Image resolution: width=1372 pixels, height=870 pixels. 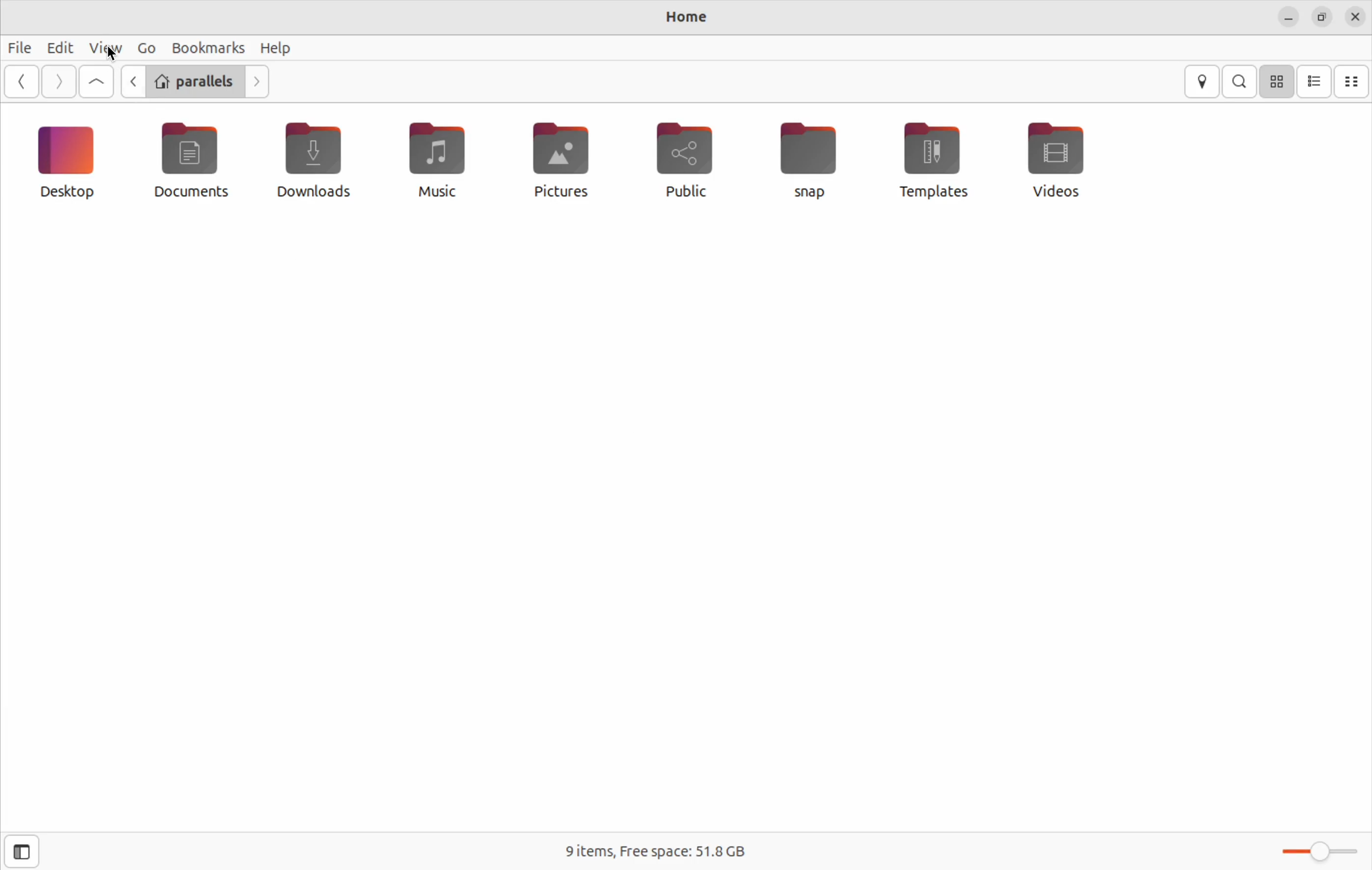 What do you see at coordinates (1202, 81) in the screenshot?
I see `location` at bounding box center [1202, 81].